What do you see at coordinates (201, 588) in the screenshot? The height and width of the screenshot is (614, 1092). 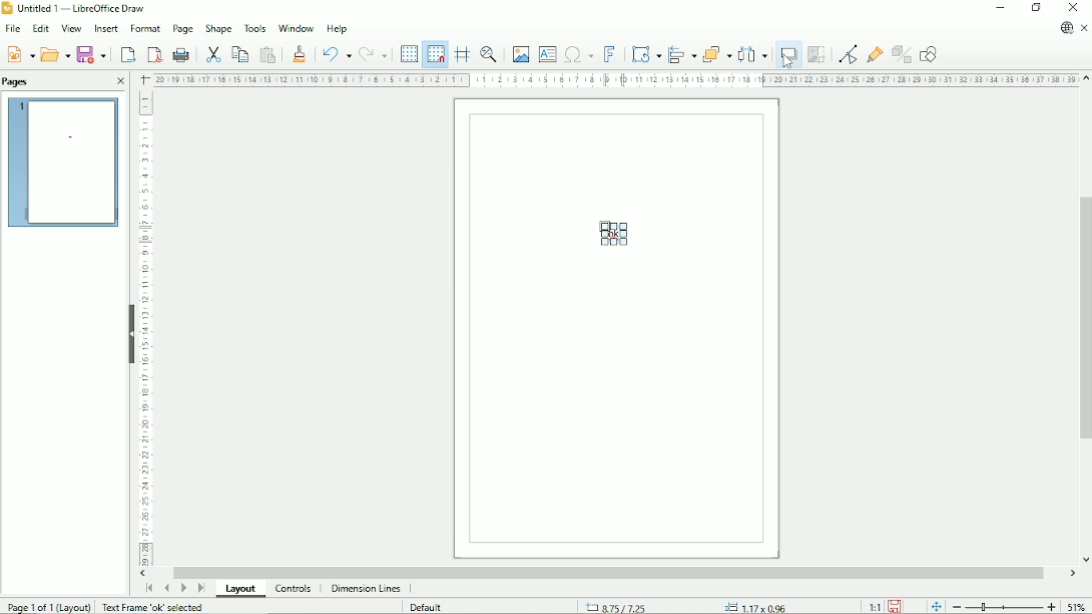 I see `Scroll to last page` at bounding box center [201, 588].